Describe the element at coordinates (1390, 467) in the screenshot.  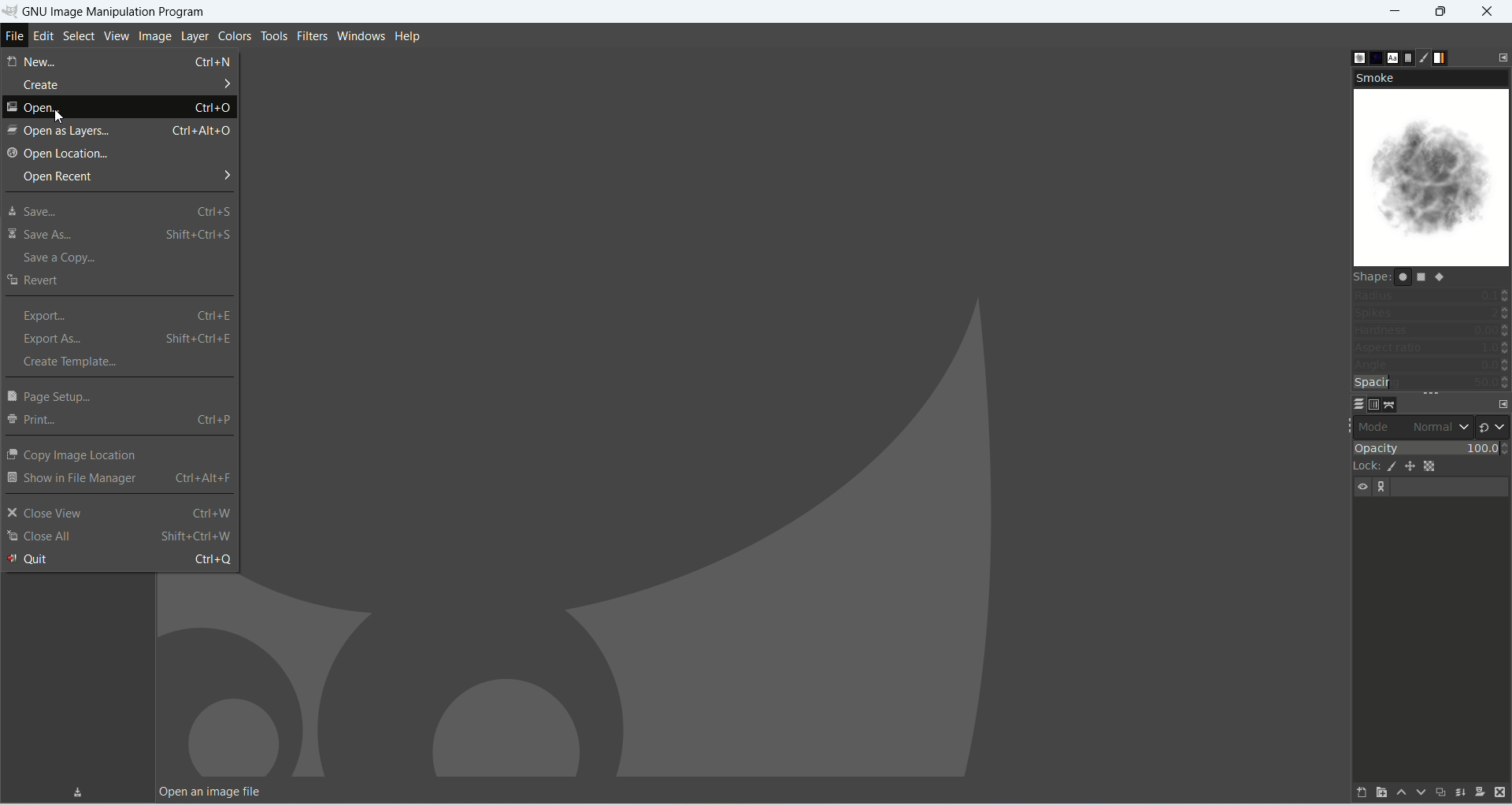
I see `lock pixels` at that location.